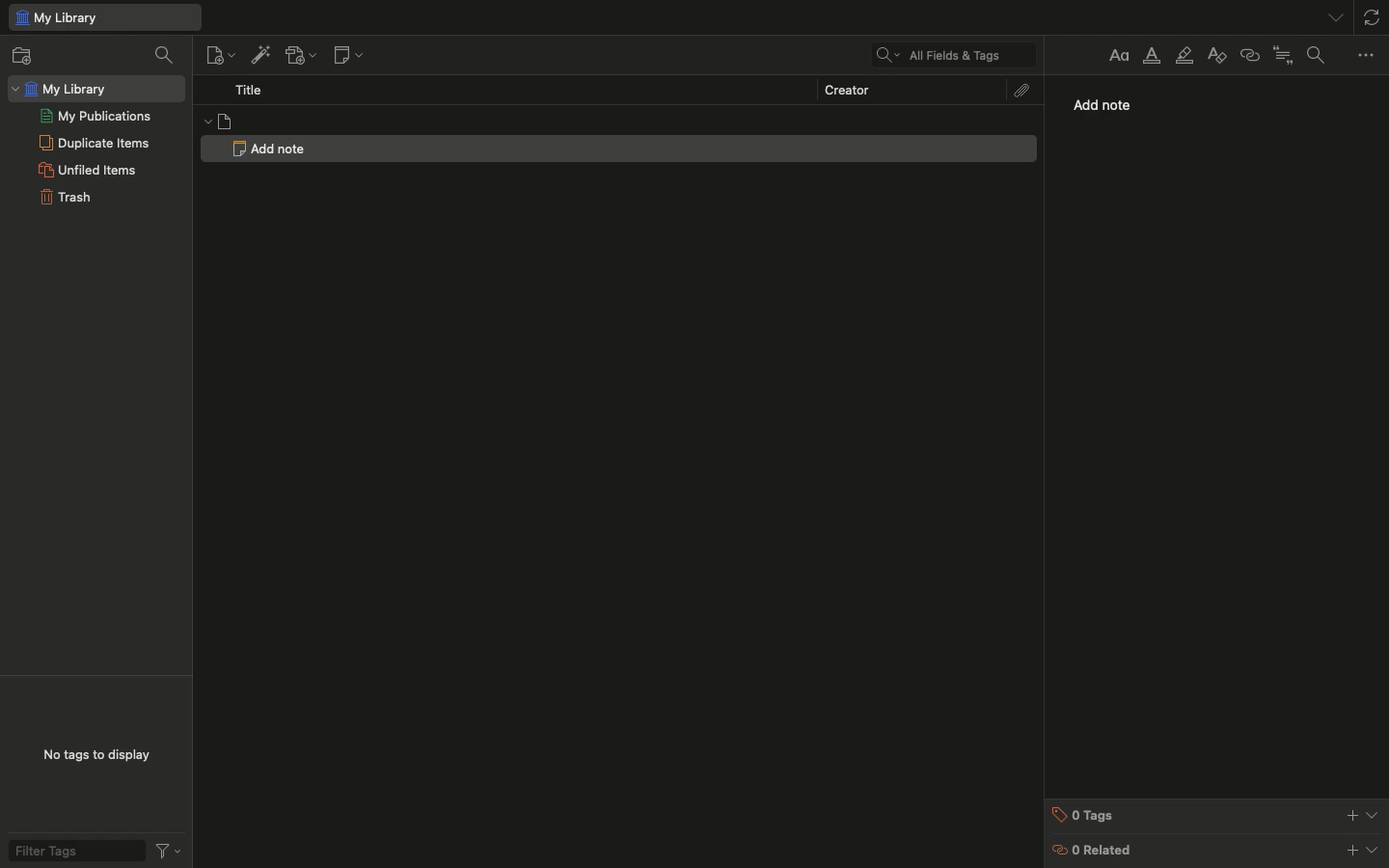  What do you see at coordinates (259, 55) in the screenshot?
I see `Add items by identifier` at bounding box center [259, 55].